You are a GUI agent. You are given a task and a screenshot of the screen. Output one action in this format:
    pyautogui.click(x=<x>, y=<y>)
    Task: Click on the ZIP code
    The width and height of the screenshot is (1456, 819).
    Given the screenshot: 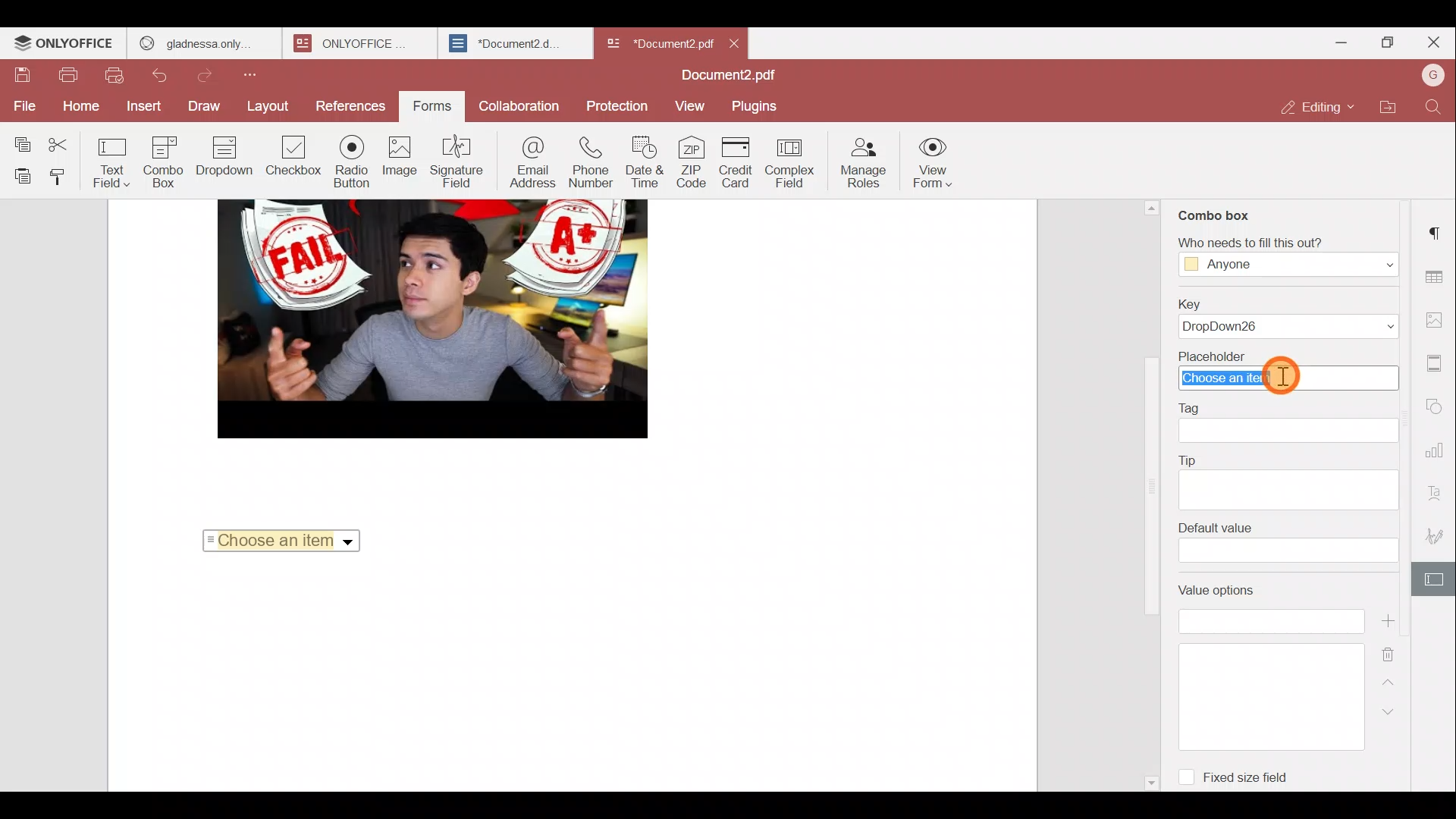 What is the action you would take?
    pyautogui.click(x=692, y=164)
    